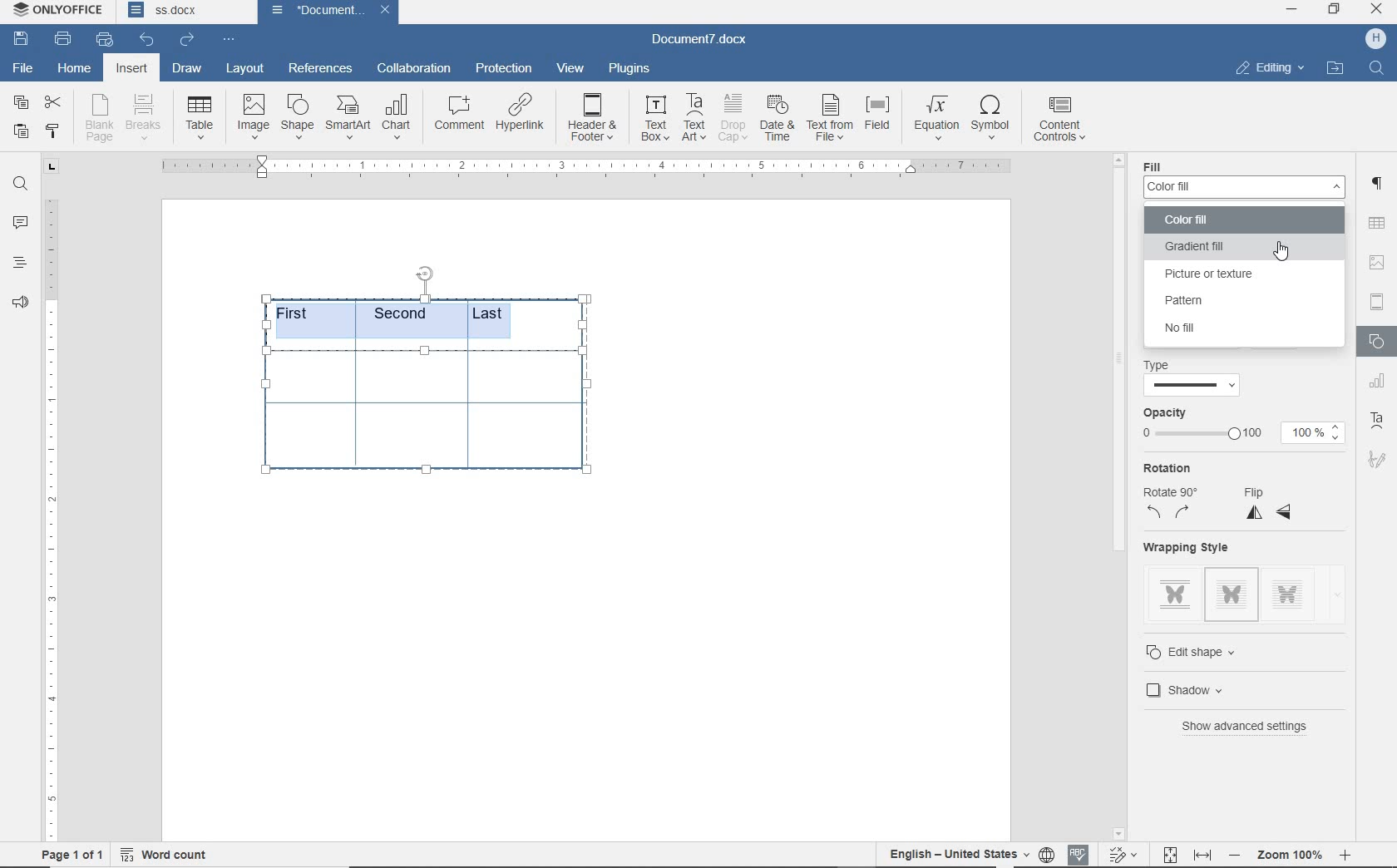 This screenshot has width=1397, height=868. What do you see at coordinates (880, 118) in the screenshot?
I see `field` at bounding box center [880, 118].